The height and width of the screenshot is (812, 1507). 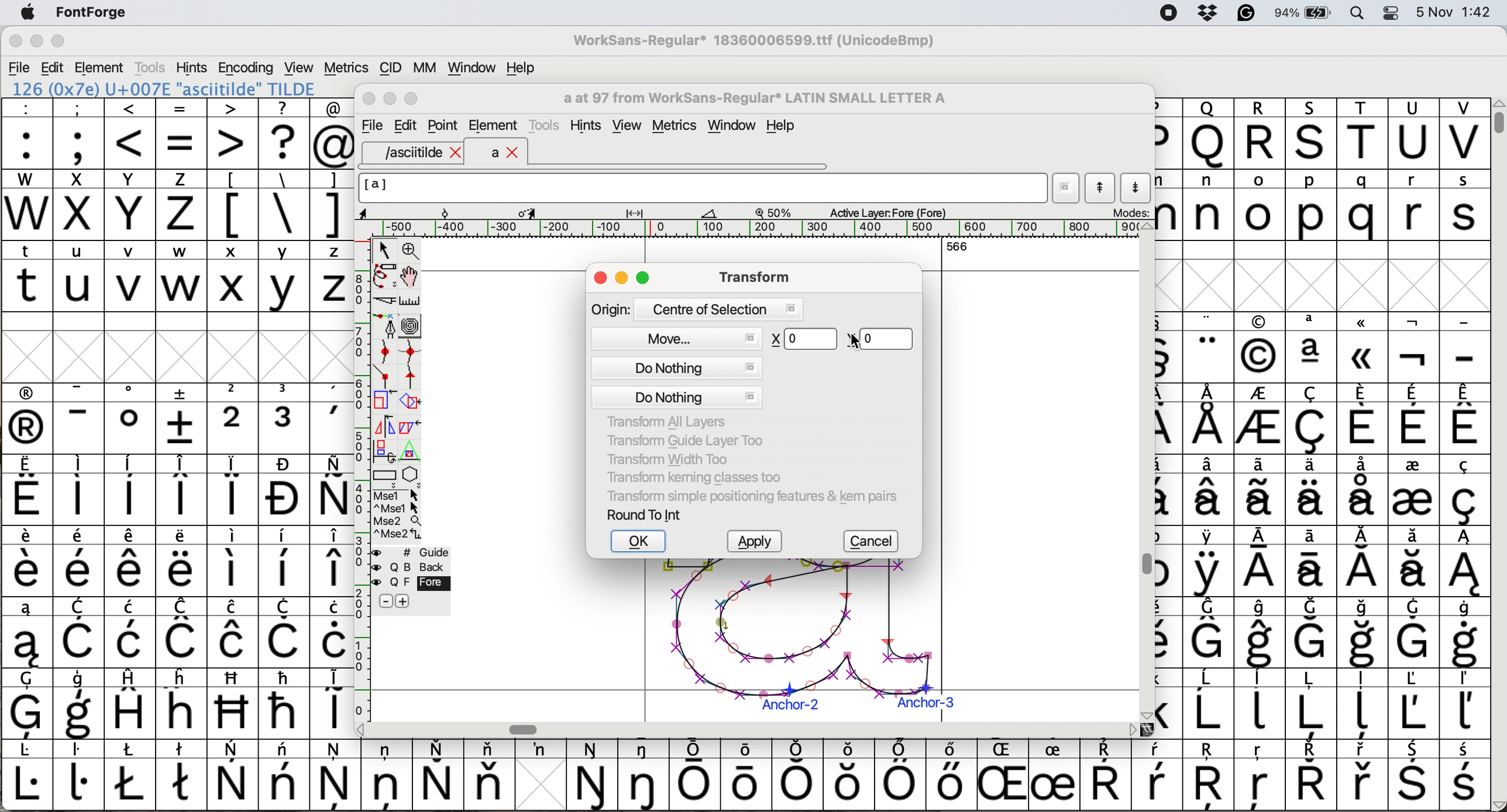 I want to click on symbol, so click(x=336, y=774).